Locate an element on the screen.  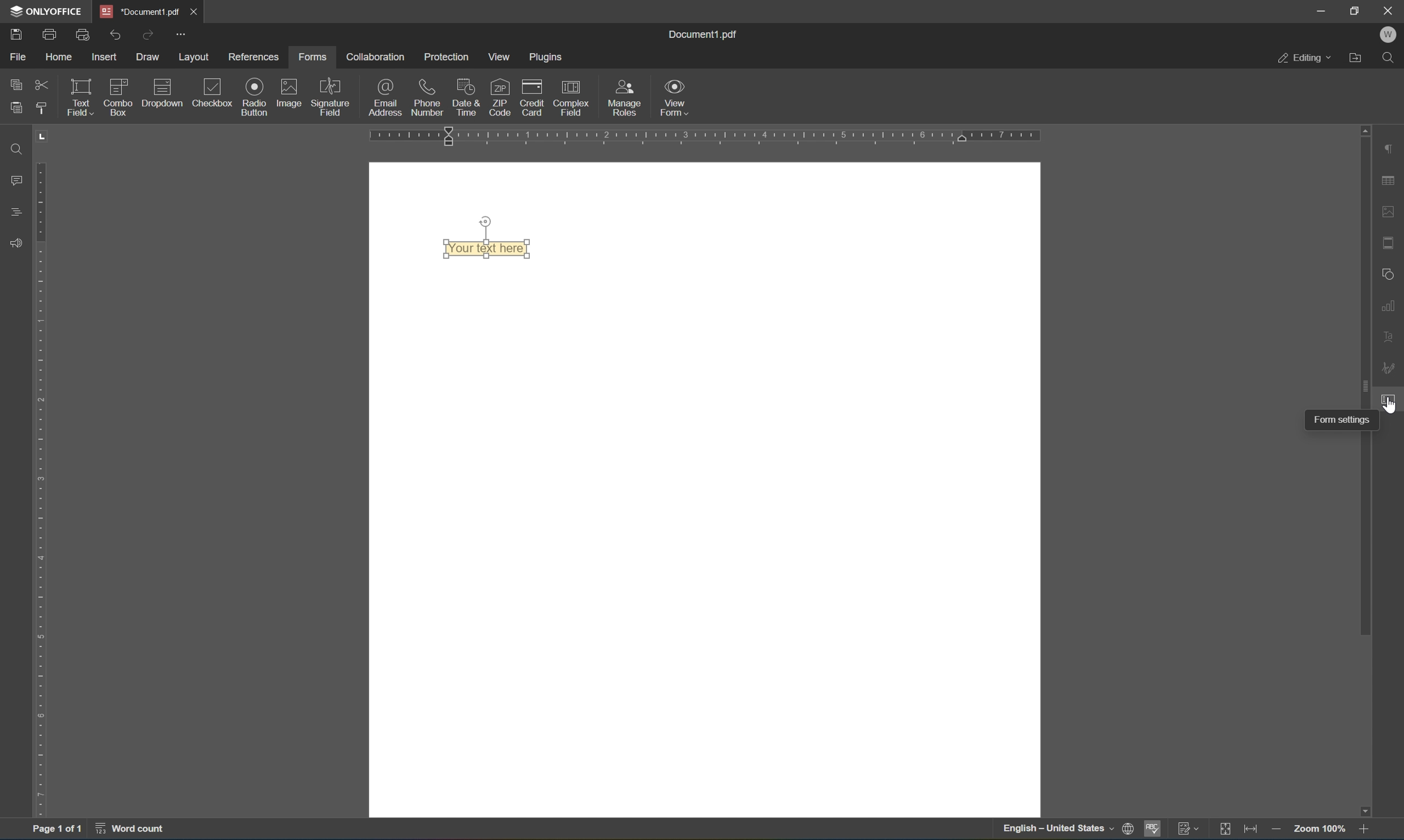
Your text here is located at coordinates (489, 251).